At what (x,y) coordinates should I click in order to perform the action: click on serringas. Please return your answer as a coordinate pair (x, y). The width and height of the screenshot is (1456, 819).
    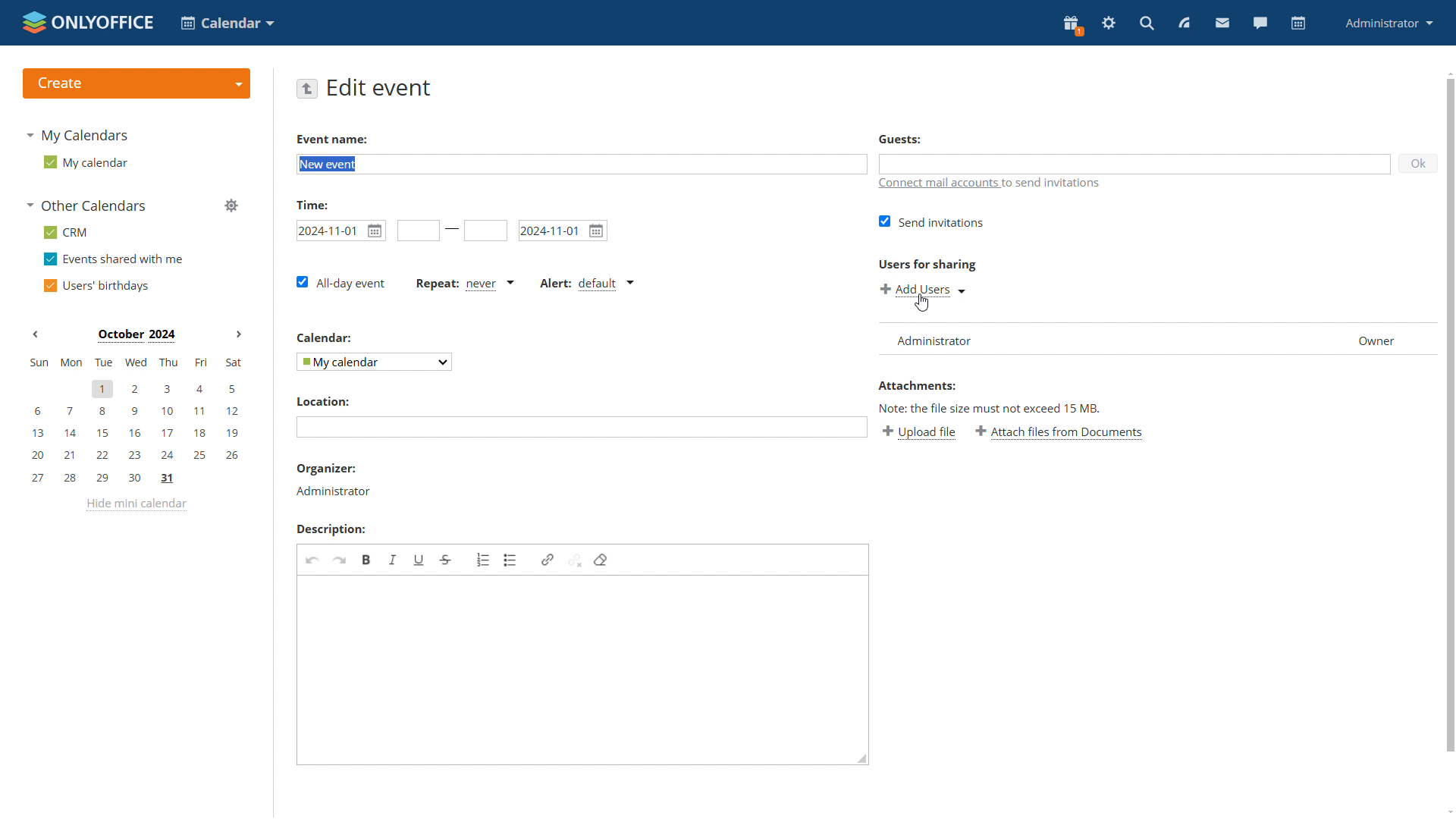
    Looking at the image, I should click on (1109, 24).